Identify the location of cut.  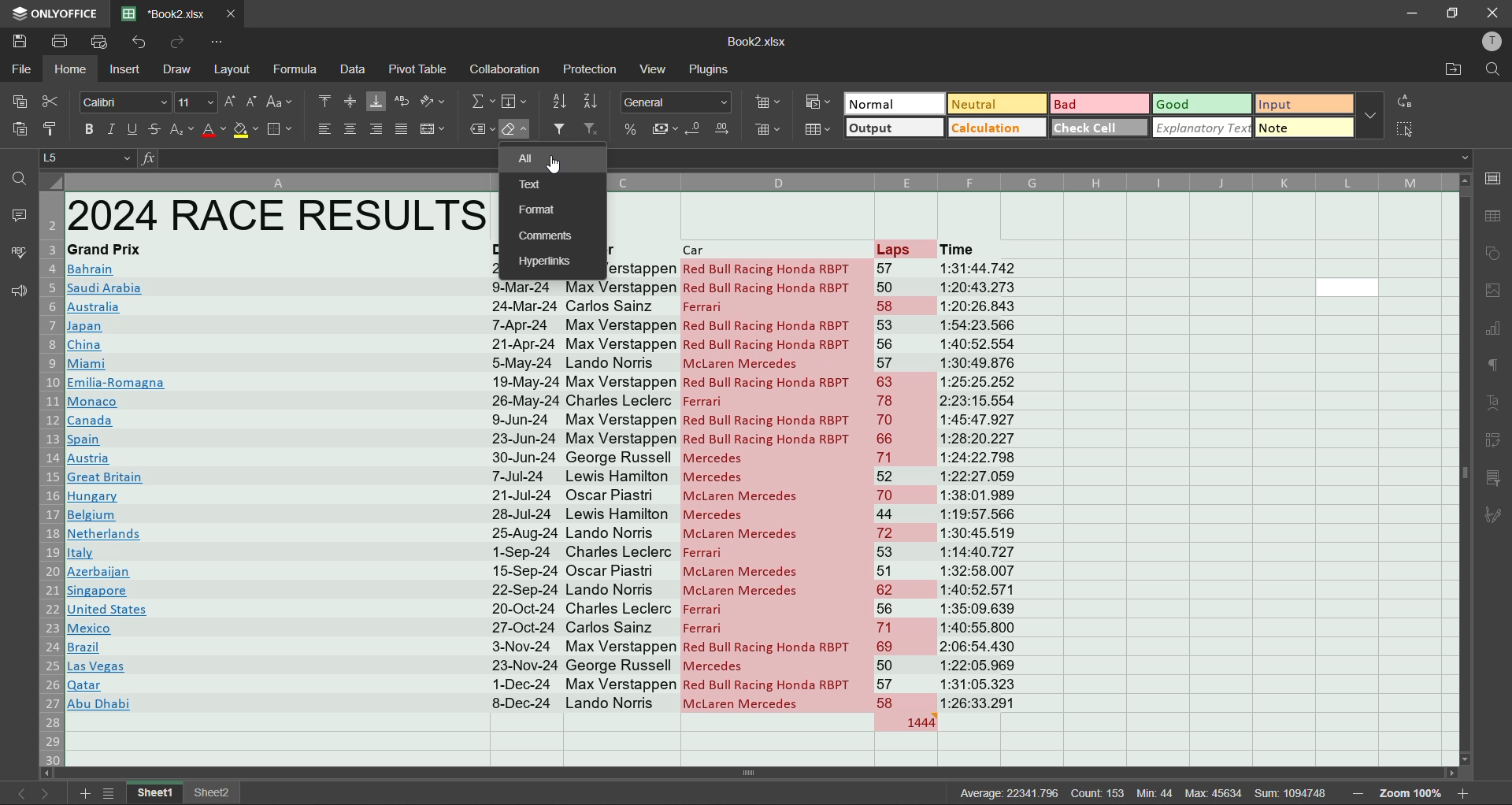
(50, 99).